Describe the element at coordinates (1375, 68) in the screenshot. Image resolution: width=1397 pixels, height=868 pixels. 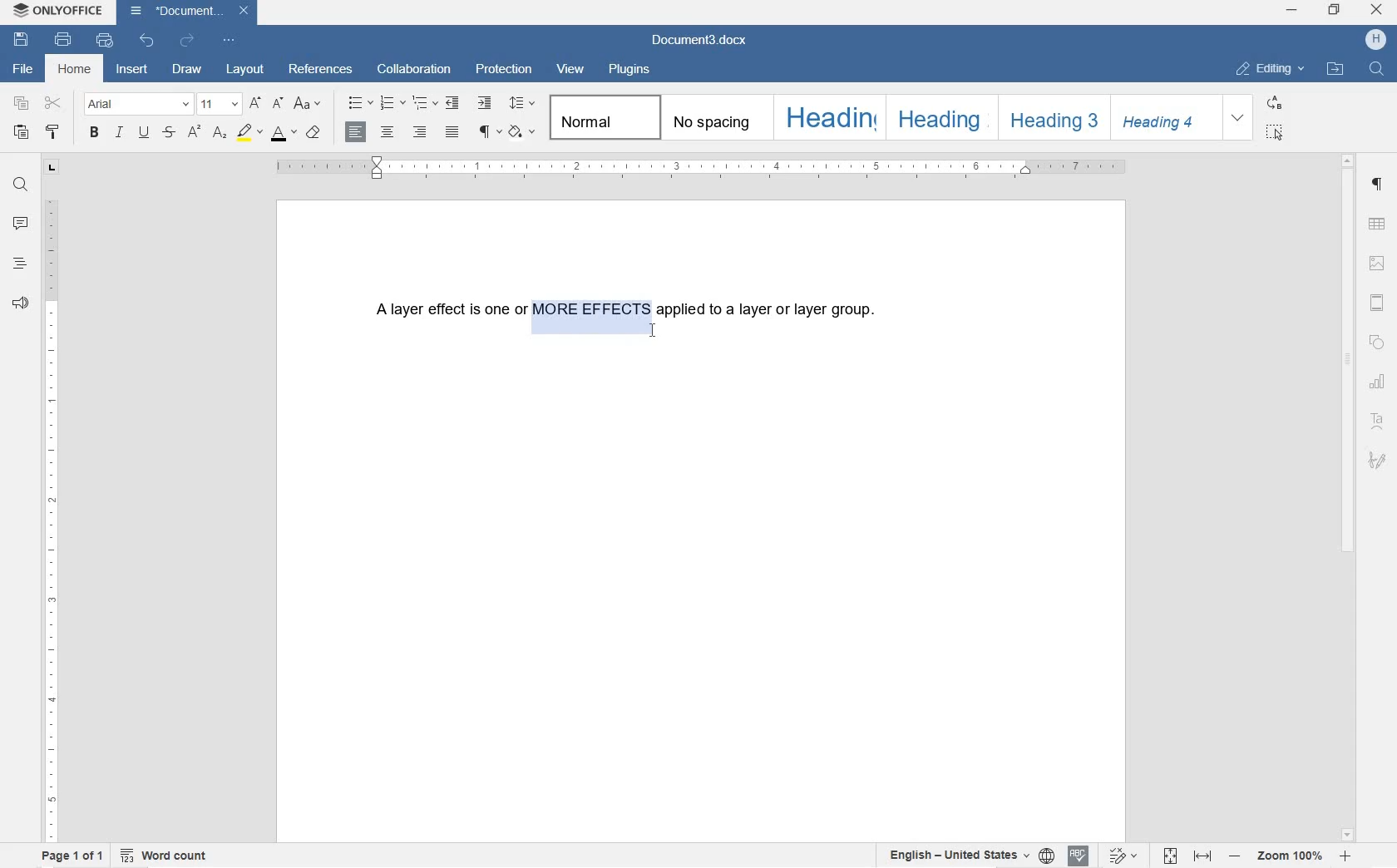
I see `FIND` at that location.